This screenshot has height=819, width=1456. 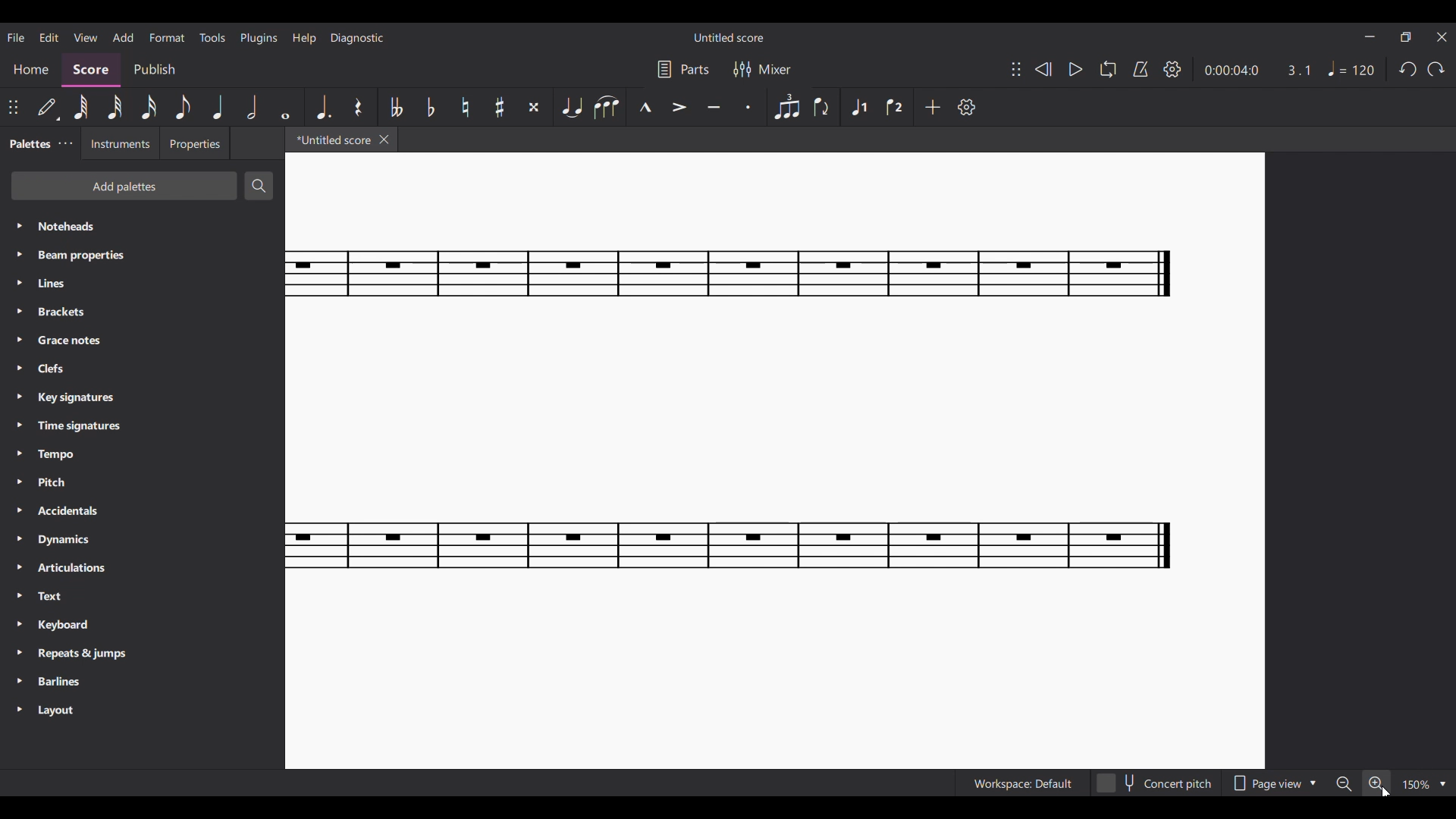 I want to click on Accidentals, so click(x=143, y=510).